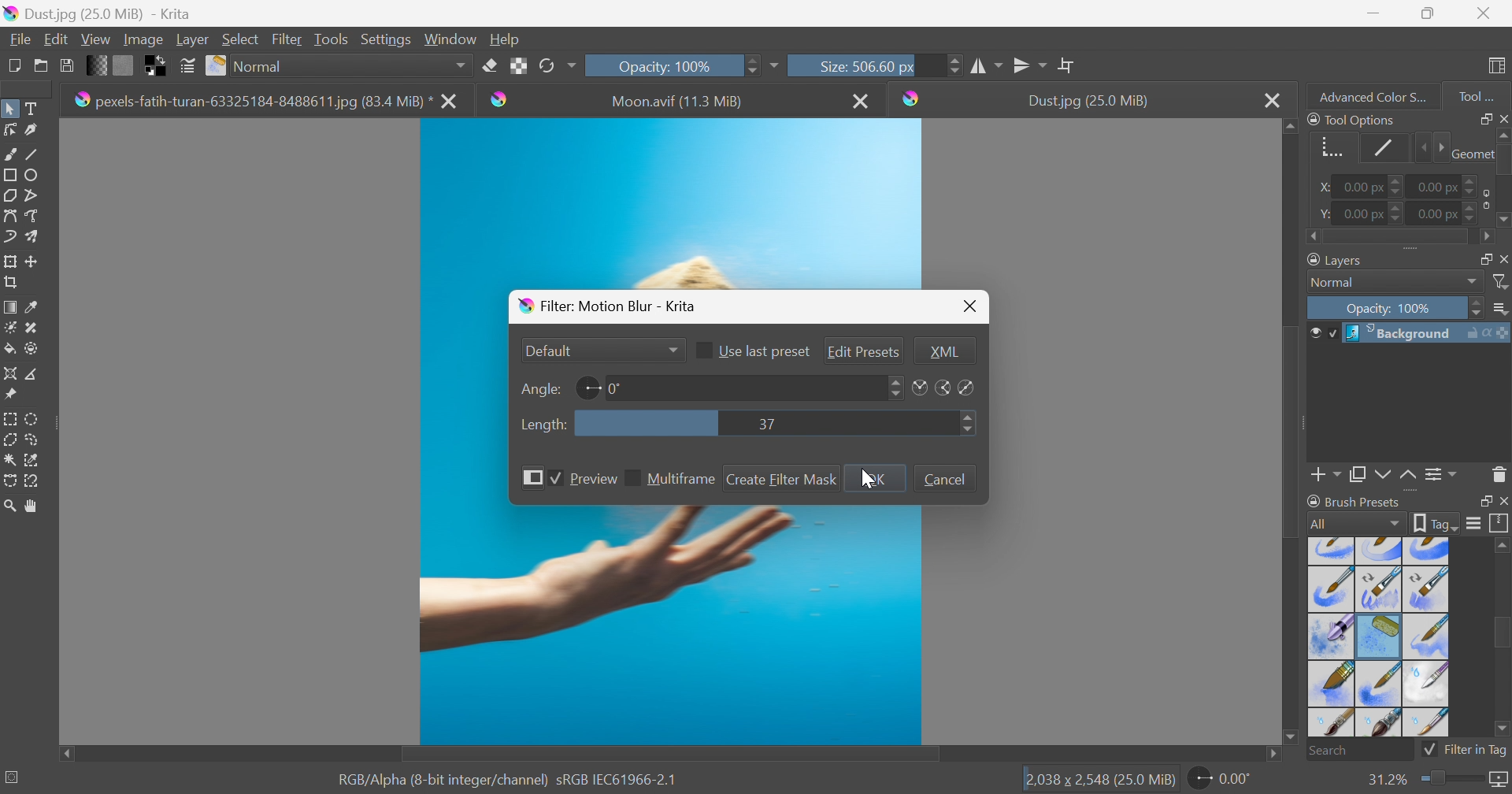  Describe the element at coordinates (34, 480) in the screenshot. I see `Magnetic Curve selection tool` at that location.